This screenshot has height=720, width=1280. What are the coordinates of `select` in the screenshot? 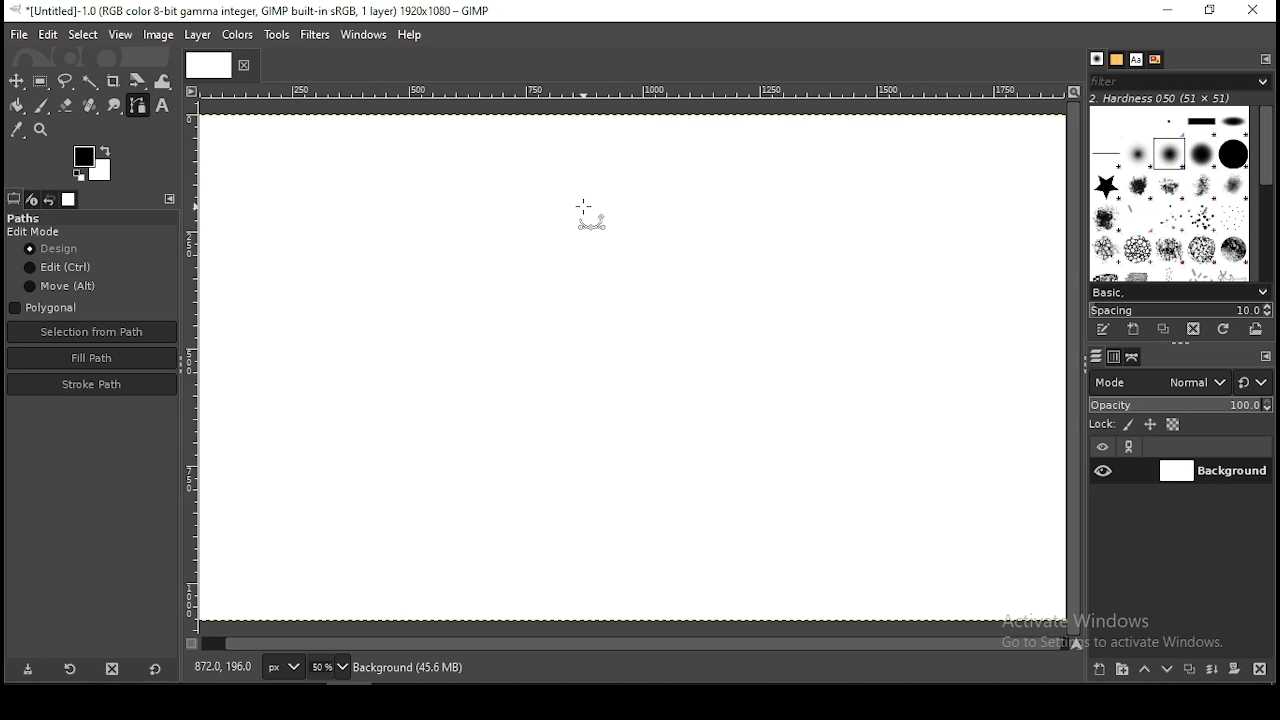 It's located at (82, 35).